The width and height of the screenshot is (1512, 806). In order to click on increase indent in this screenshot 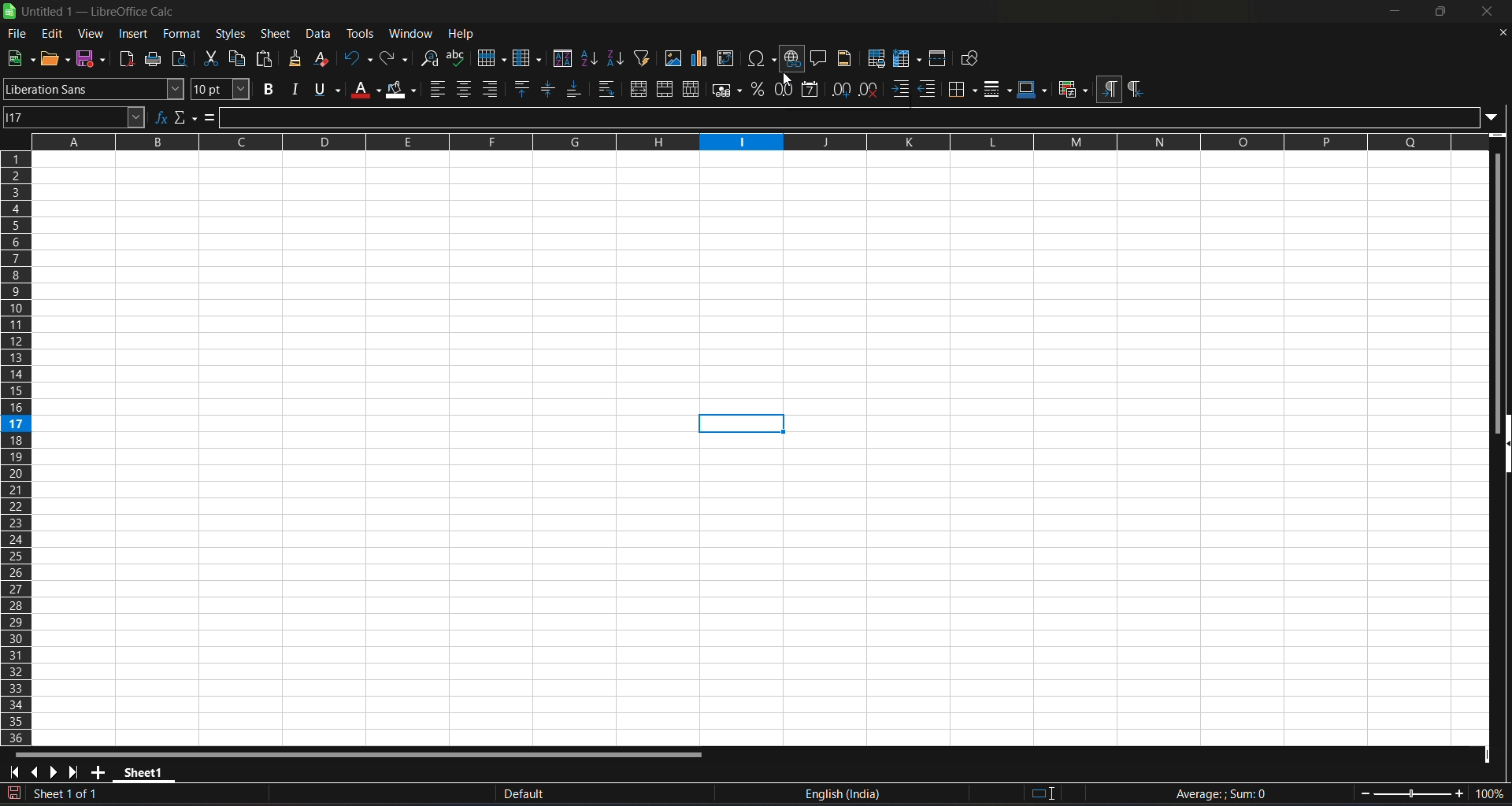, I will do `click(901, 91)`.